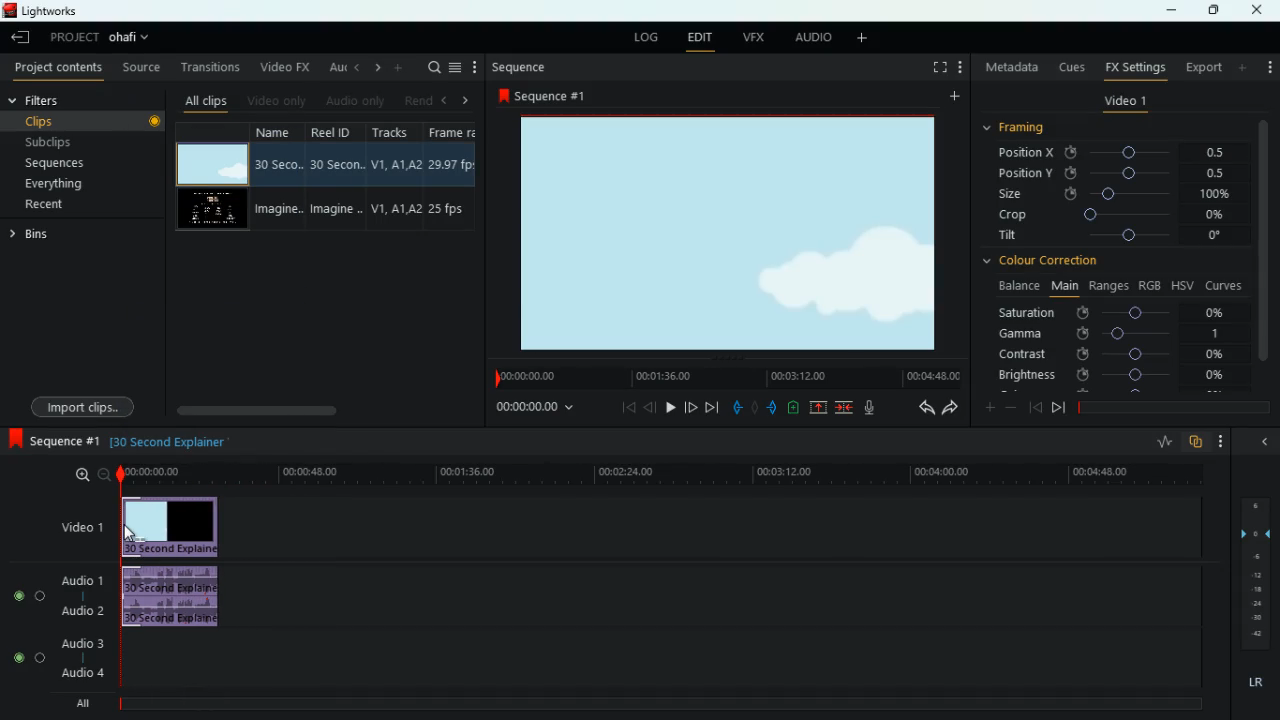 This screenshot has height=720, width=1280. Describe the element at coordinates (1259, 10) in the screenshot. I see `close` at that location.